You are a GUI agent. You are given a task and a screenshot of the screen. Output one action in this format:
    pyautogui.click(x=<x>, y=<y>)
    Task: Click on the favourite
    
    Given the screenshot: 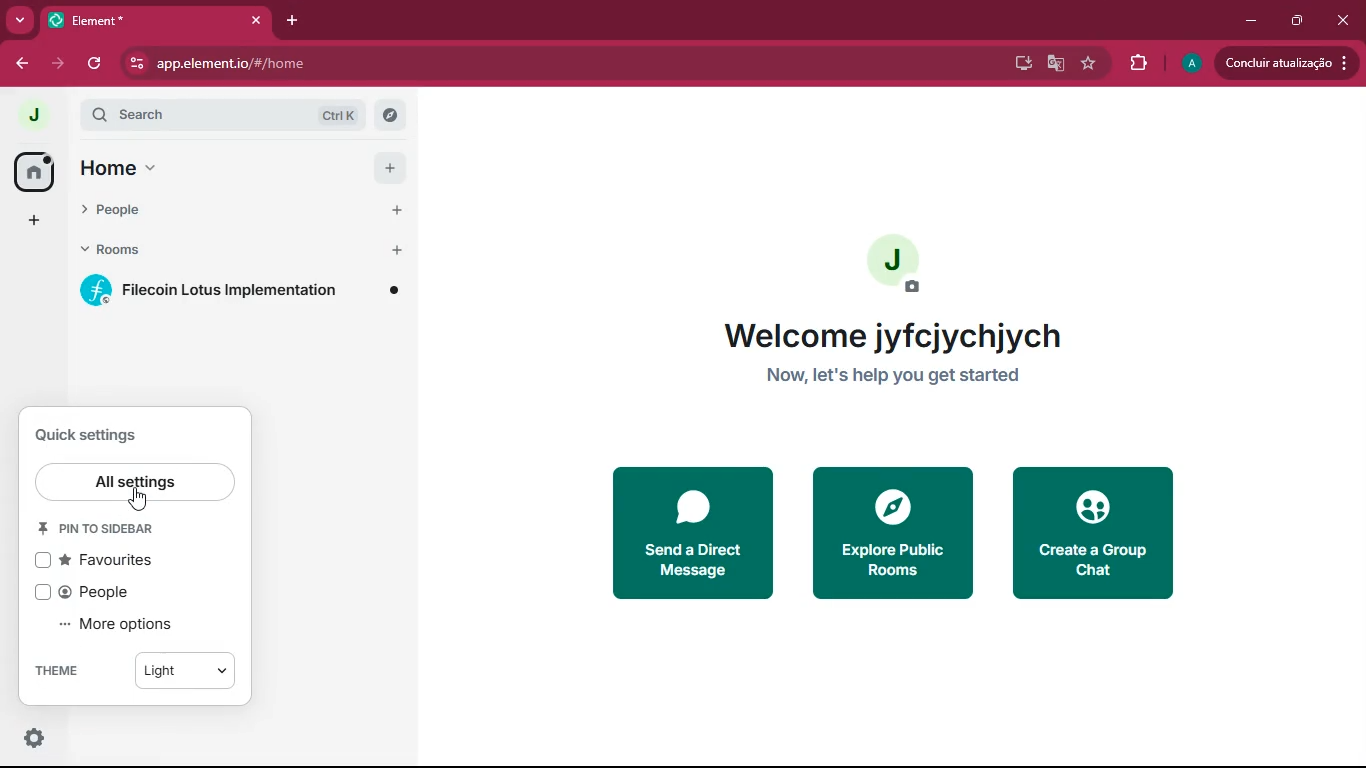 What is the action you would take?
    pyautogui.click(x=1093, y=64)
    